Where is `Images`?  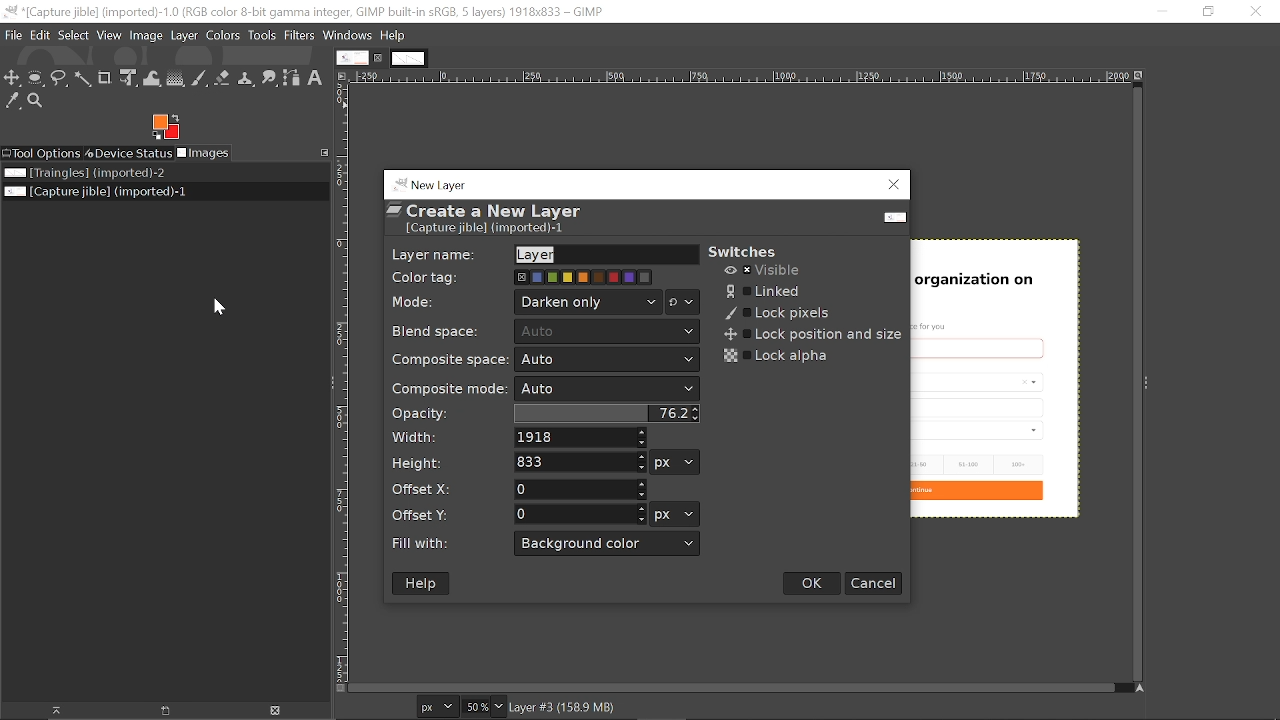
Images is located at coordinates (208, 154).